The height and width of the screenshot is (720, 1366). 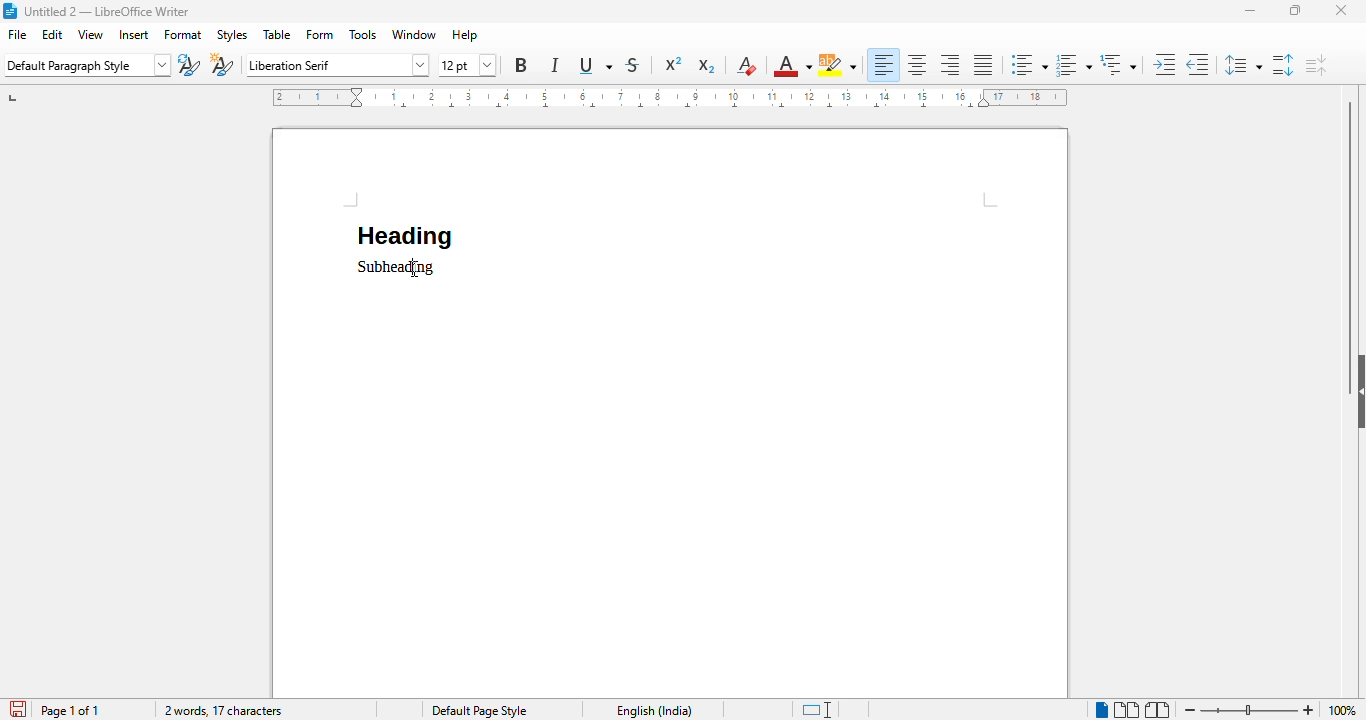 What do you see at coordinates (320, 35) in the screenshot?
I see `form` at bounding box center [320, 35].